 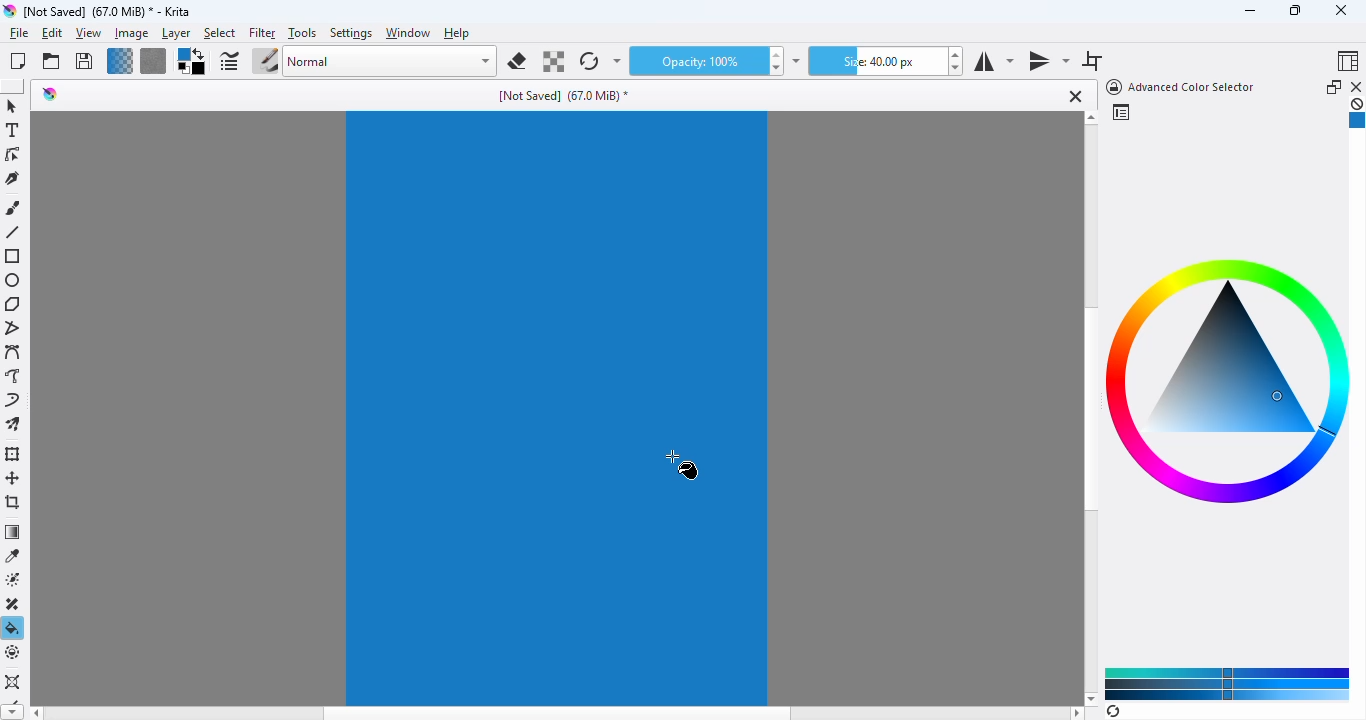 I want to click on edit brush settings, so click(x=228, y=61).